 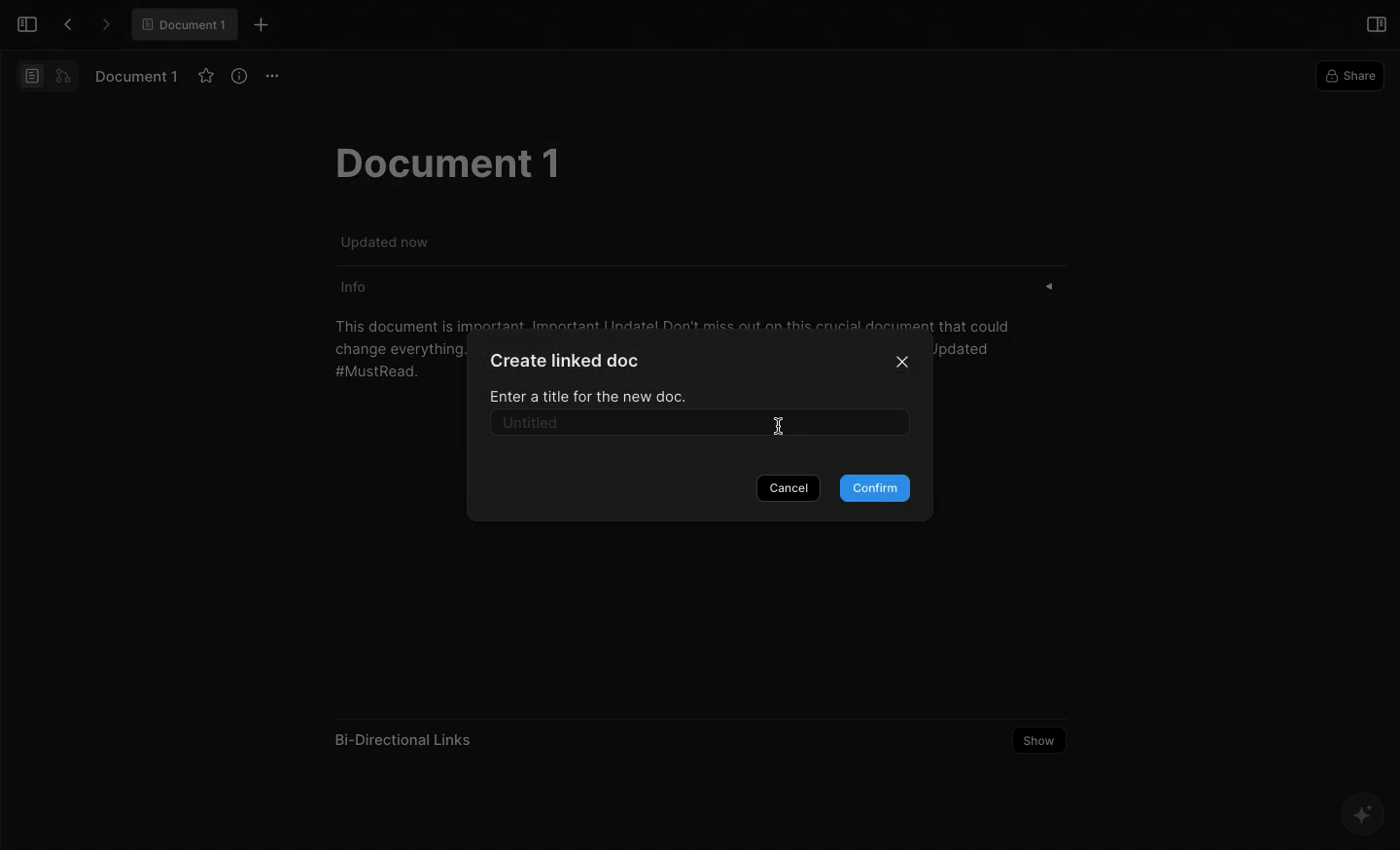 What do you see at coordinates (592, 395) in the screenshot?
I see `Enter a title for the new doc` at bounding box center [592, 395].